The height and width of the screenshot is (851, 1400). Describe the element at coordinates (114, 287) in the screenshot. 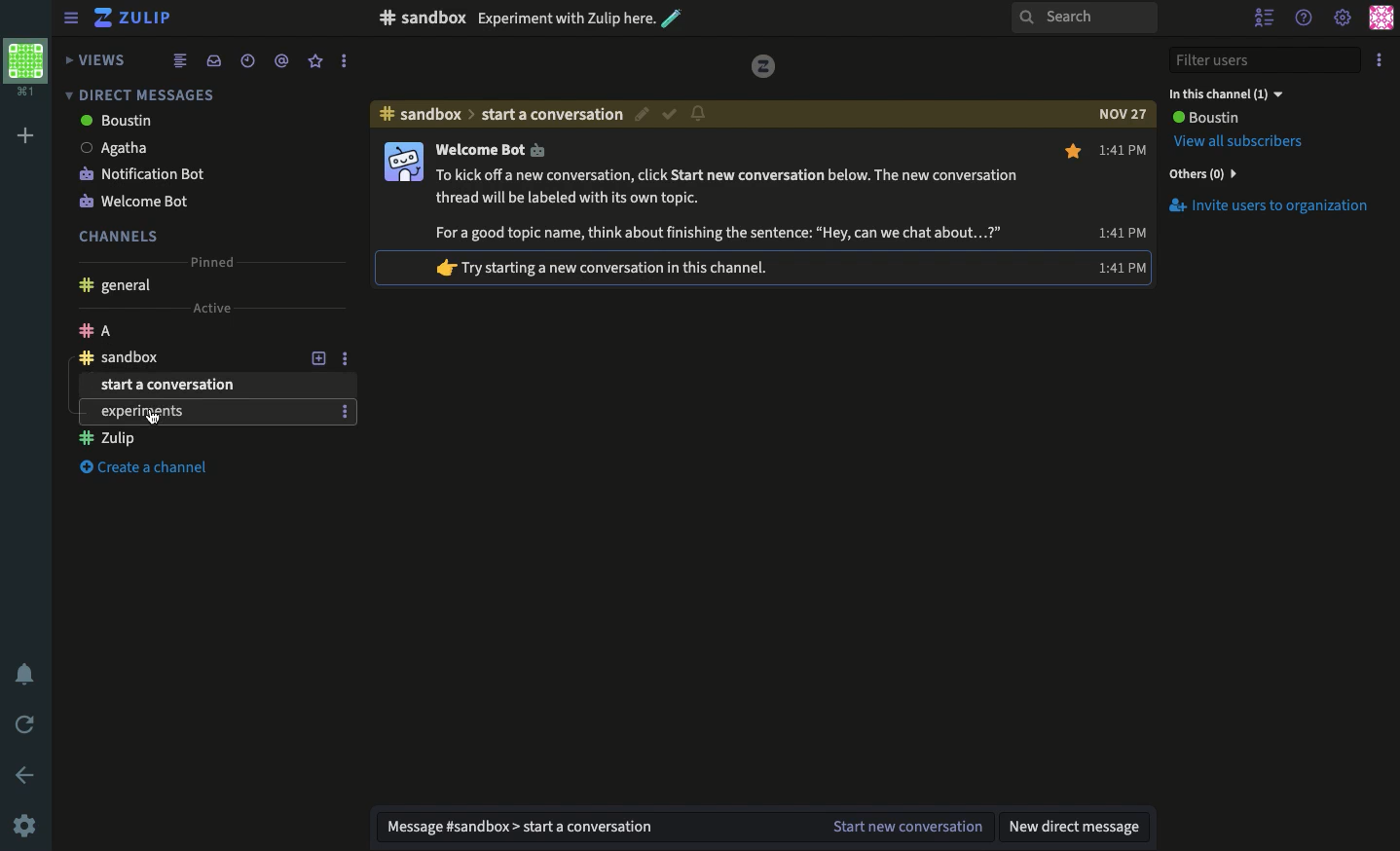

I see `General` at that location.